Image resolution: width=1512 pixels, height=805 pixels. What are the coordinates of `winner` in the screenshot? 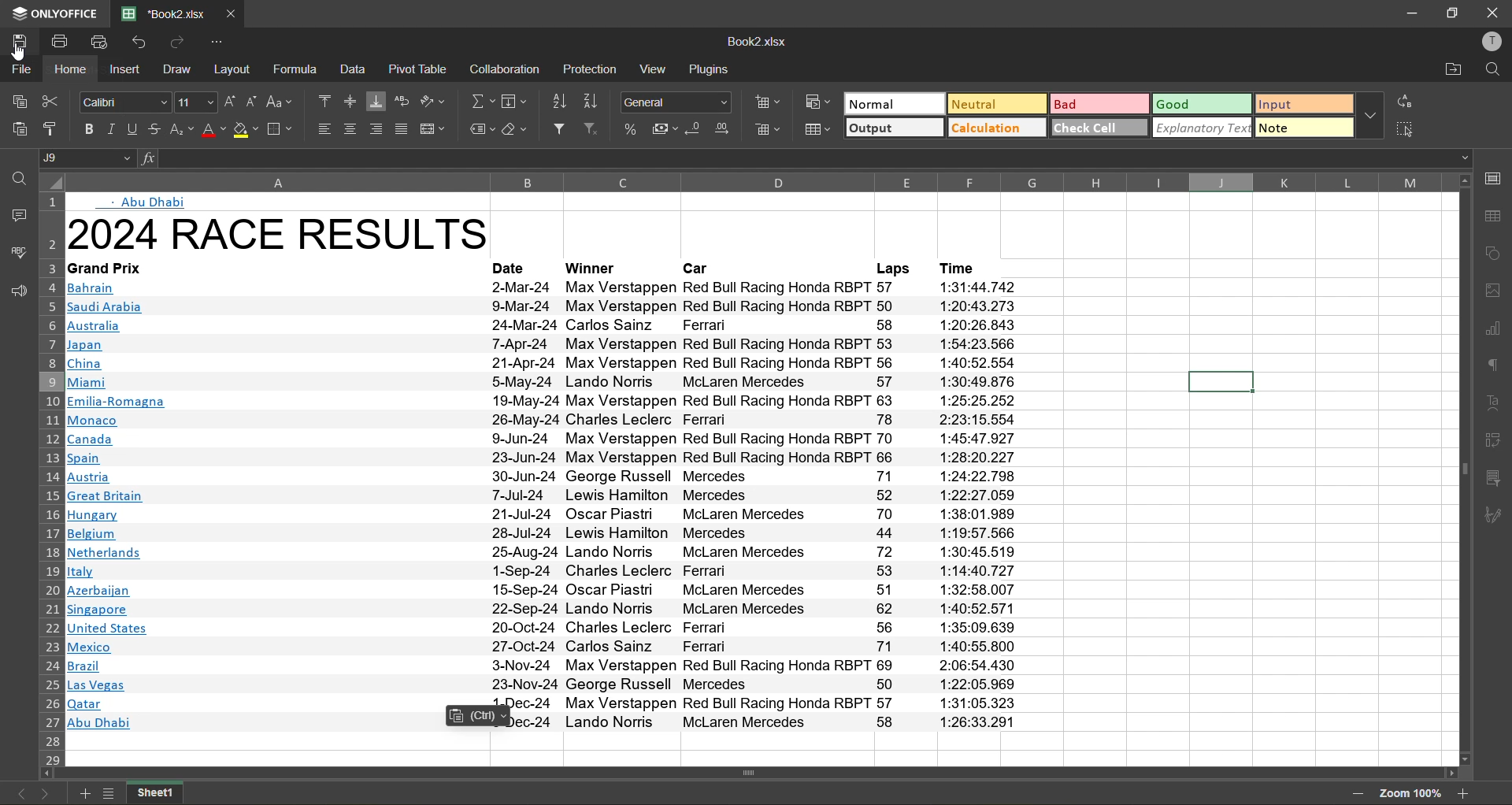 It's located at (596, 267).